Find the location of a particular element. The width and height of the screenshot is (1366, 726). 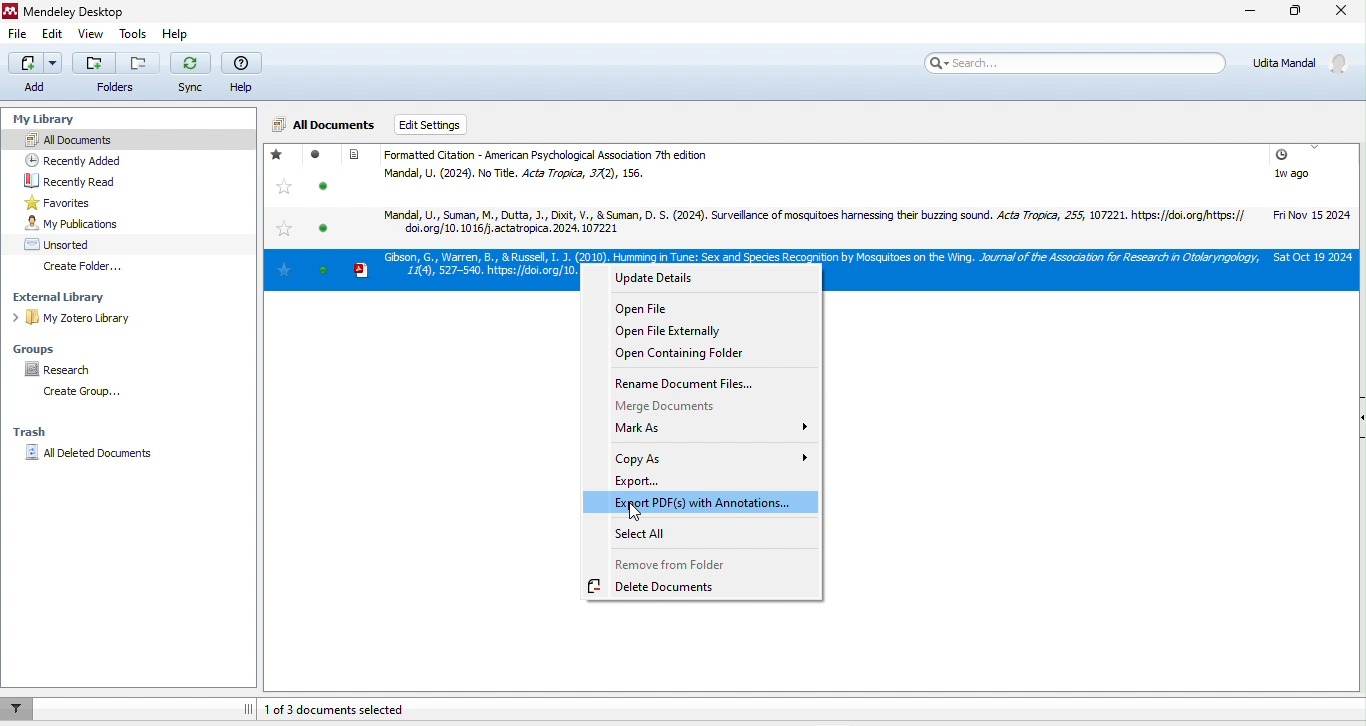

cursor movement is located at coordinates (639, 515).